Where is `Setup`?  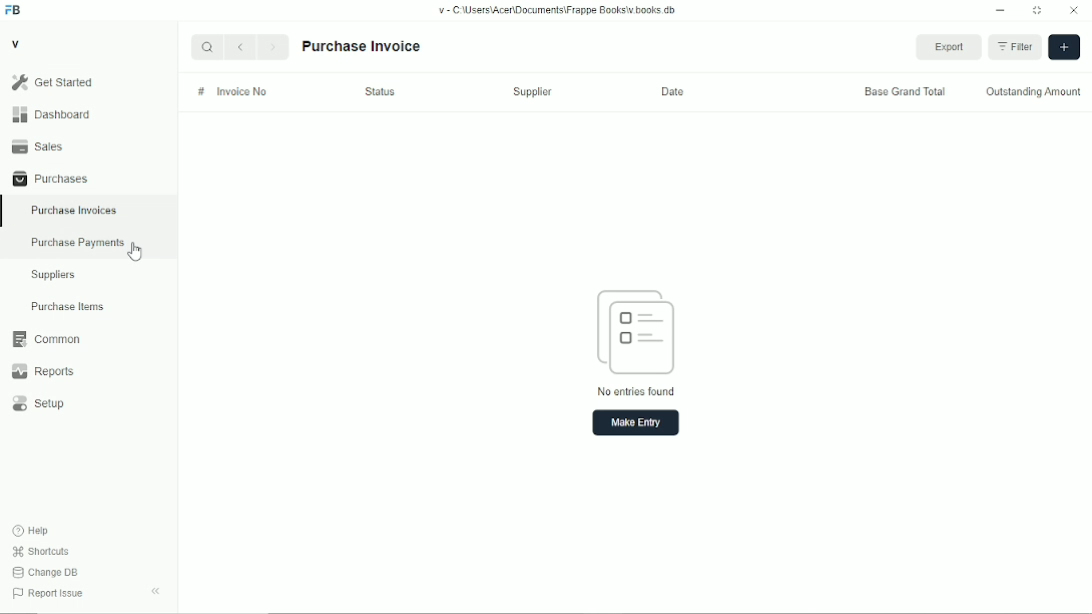
Setup is located at coordinates (89, 403).